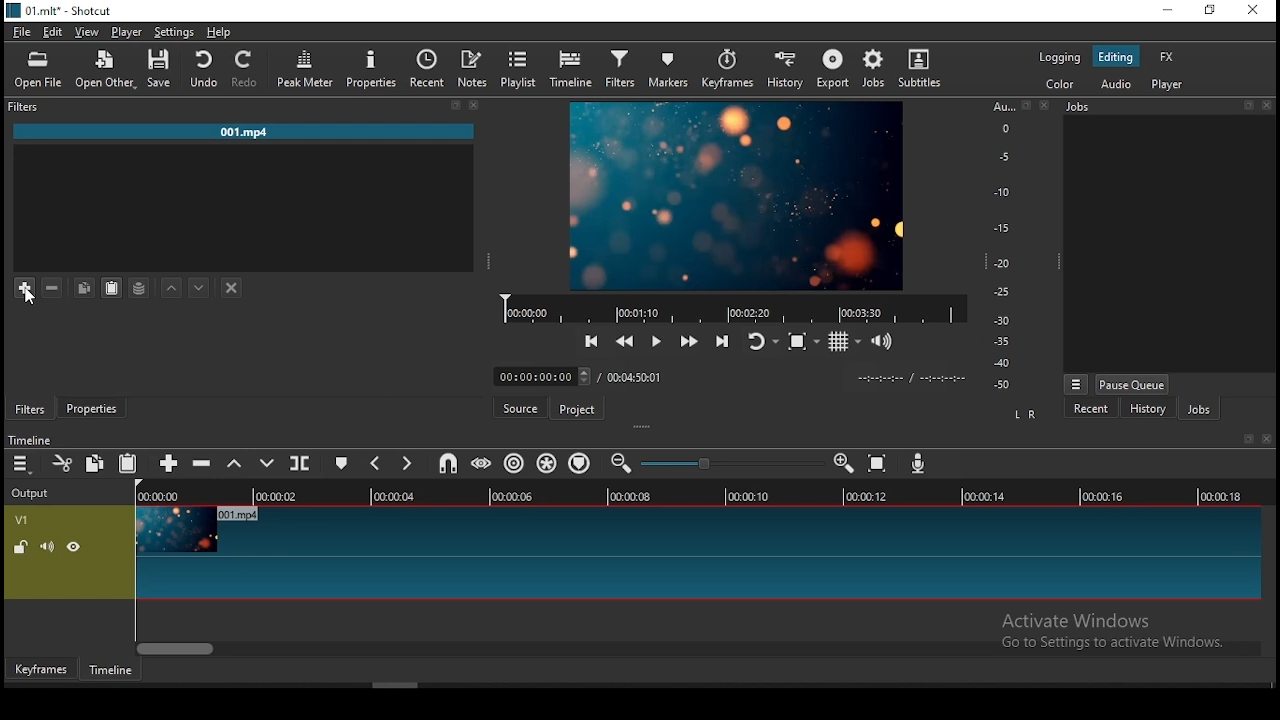 The image size is (1280, 720). I want to click on subtitles, so click(924, 66).